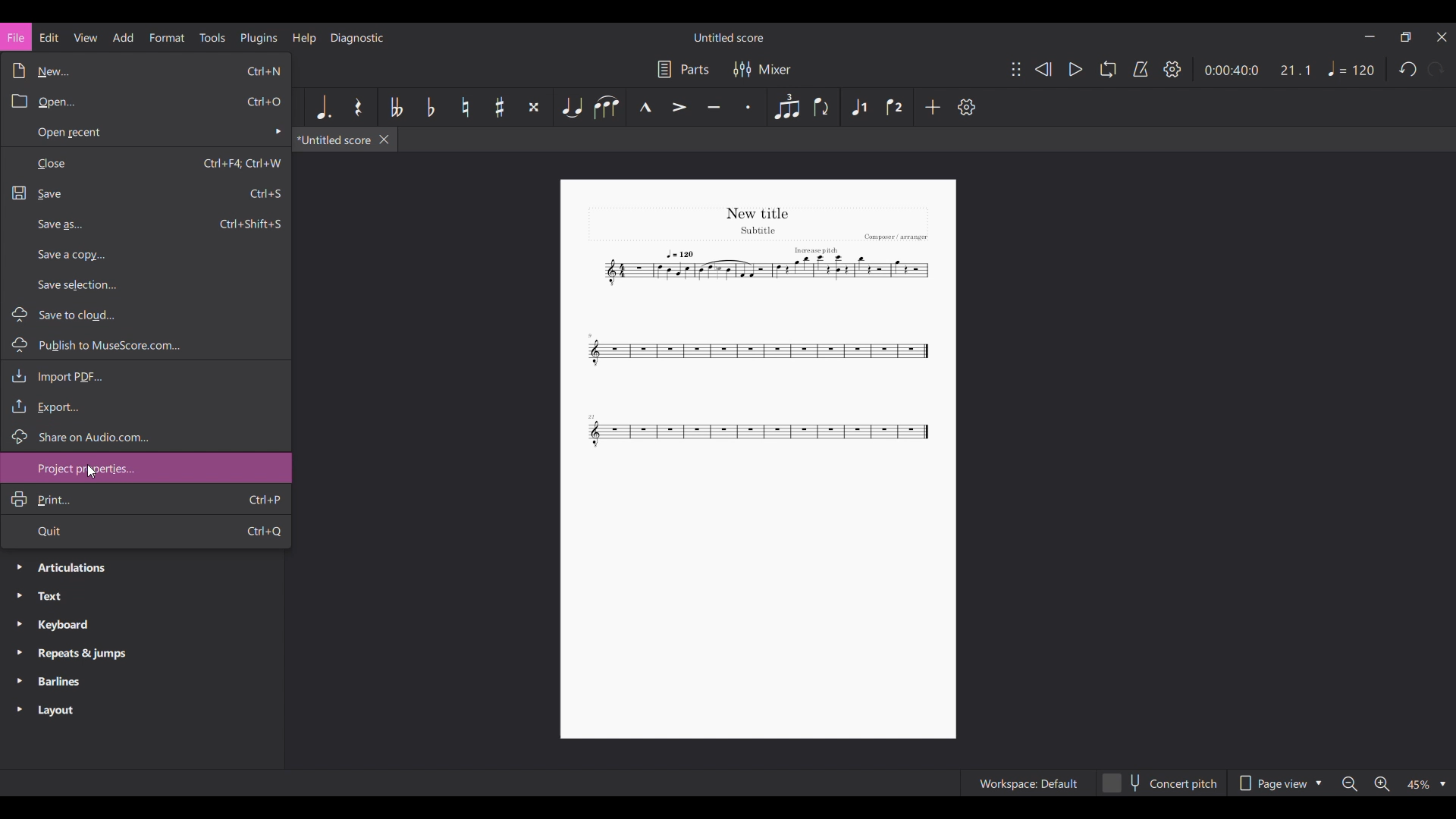 This screenshot has height=819, width=1456. What do you see at coordinates (143, 626) in the screenshot?
I see `Keyboard` at bounding box center [143, 626].